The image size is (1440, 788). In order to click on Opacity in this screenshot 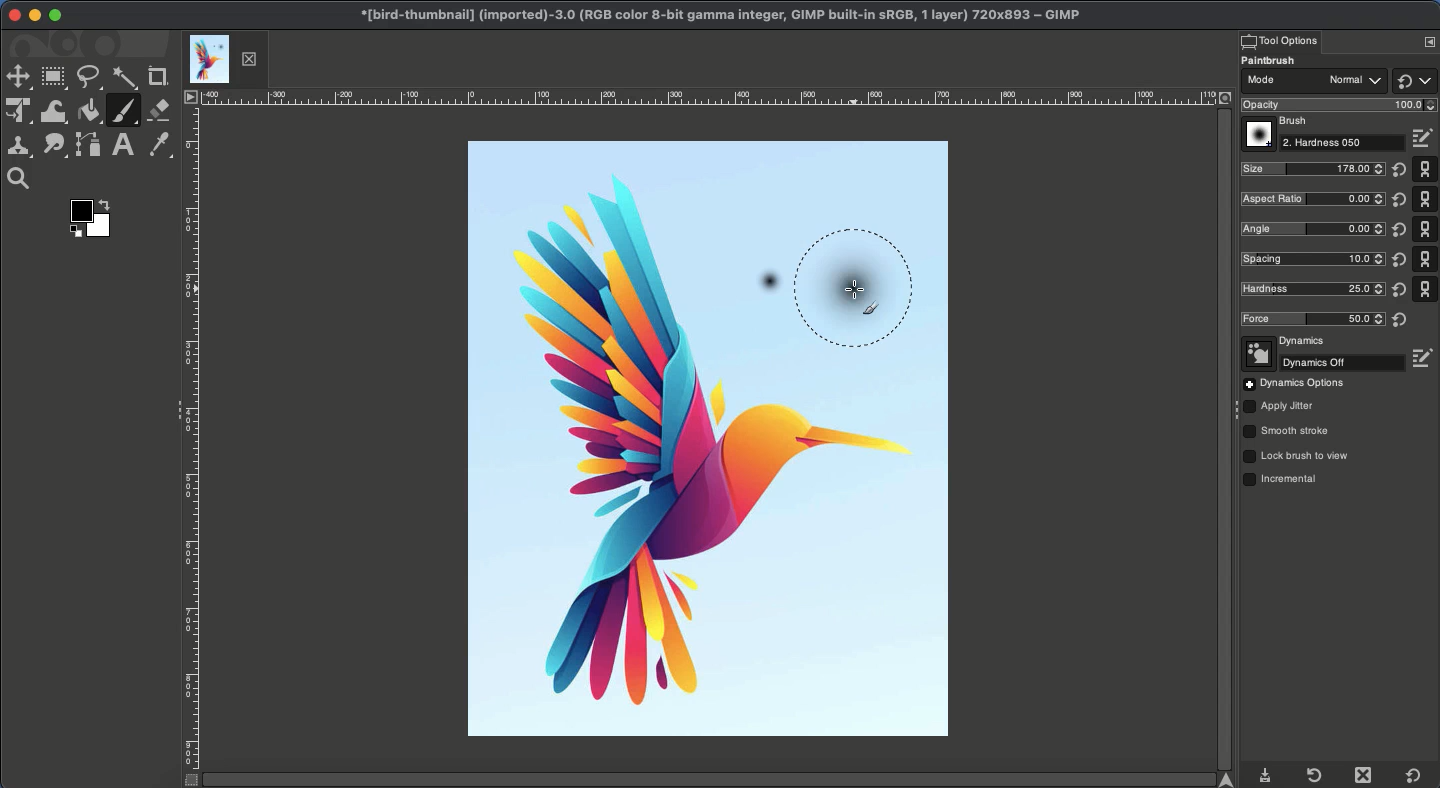, I will do `click(1336, 105)`.